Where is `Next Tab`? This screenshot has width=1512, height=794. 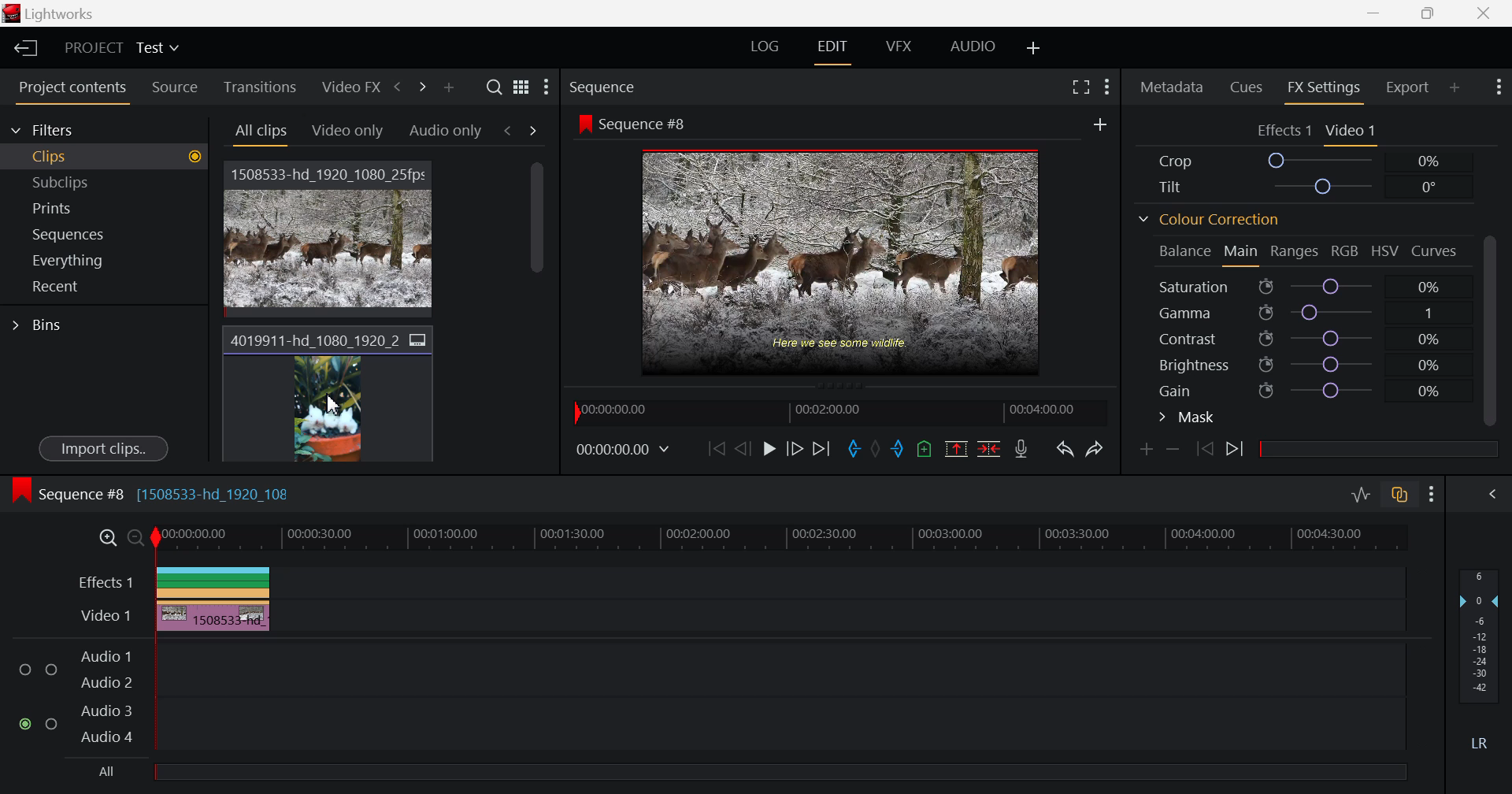
Next Tab is located at coordinates (533, 130).